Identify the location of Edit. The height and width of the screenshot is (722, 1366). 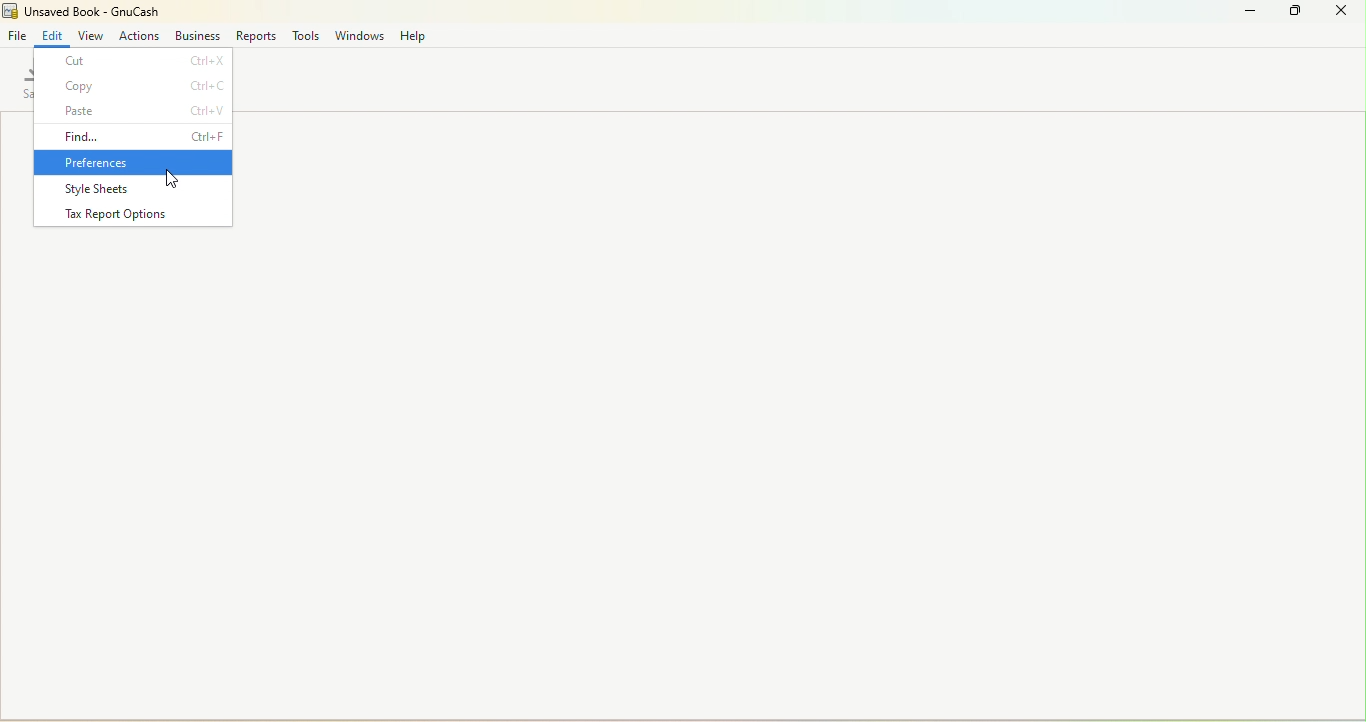
(52, 34).